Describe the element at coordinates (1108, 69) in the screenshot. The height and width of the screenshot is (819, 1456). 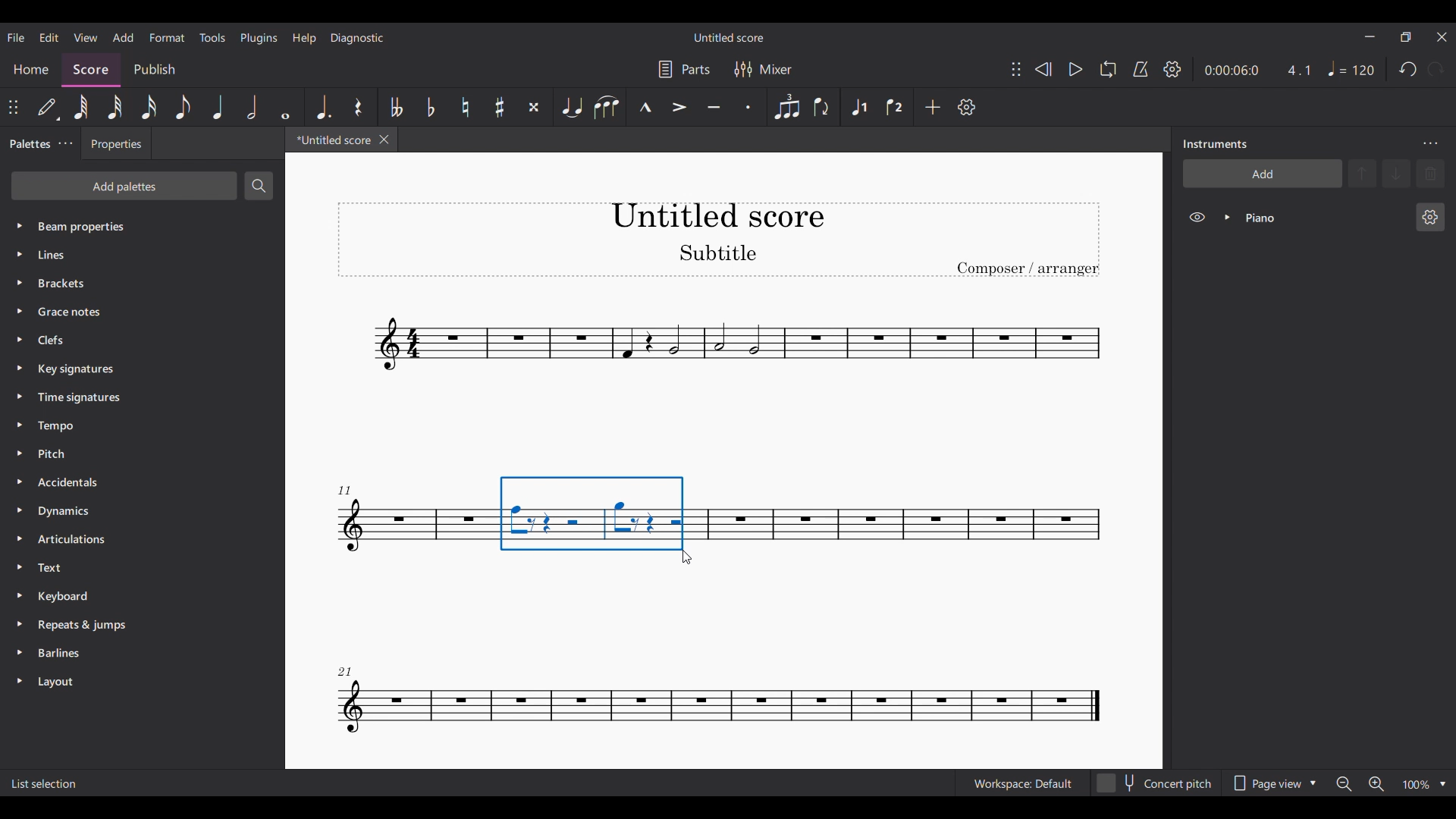
I see `Loop playback` at that location.